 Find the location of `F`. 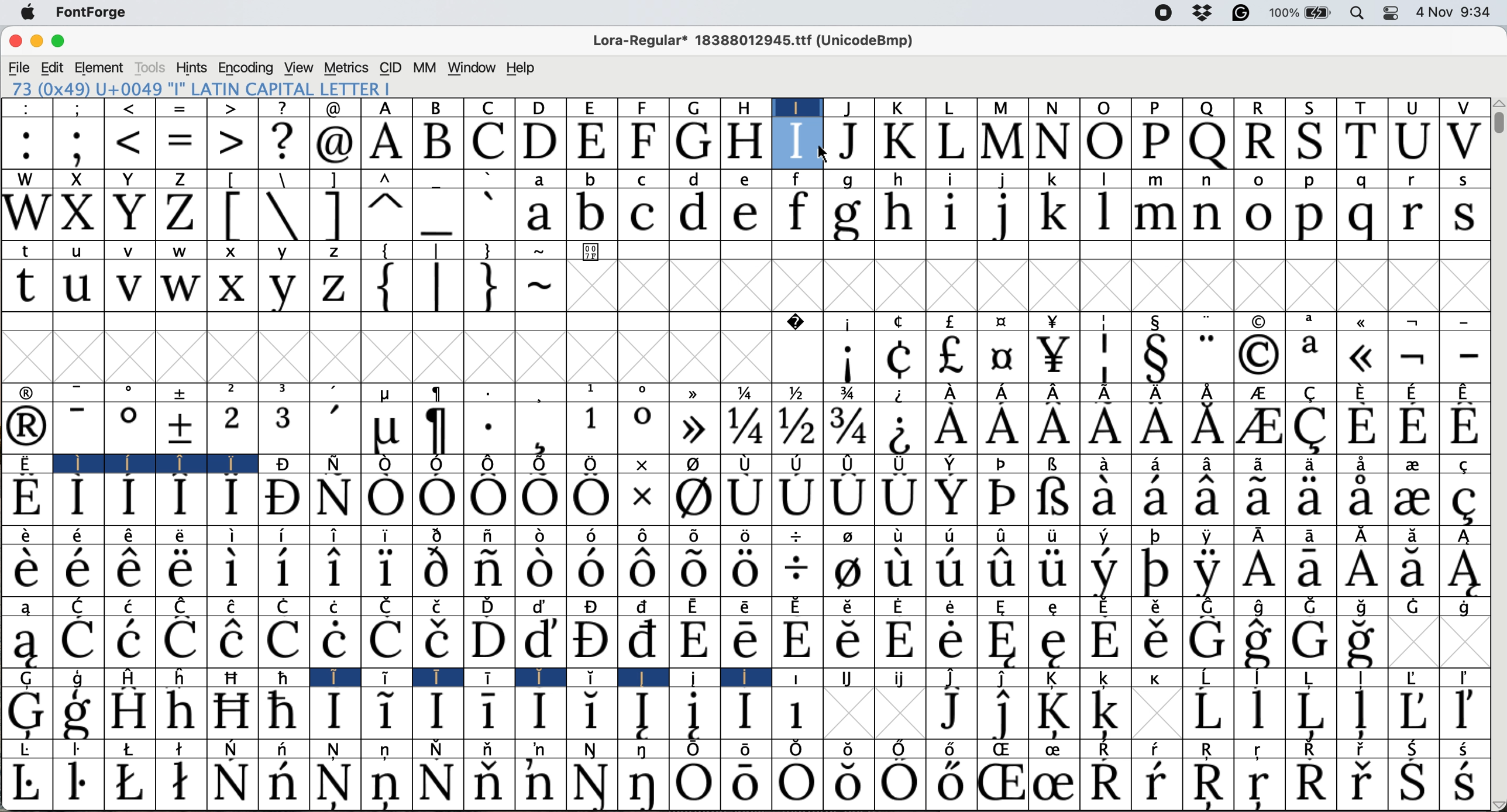

F is located at coordinates (644, 109).